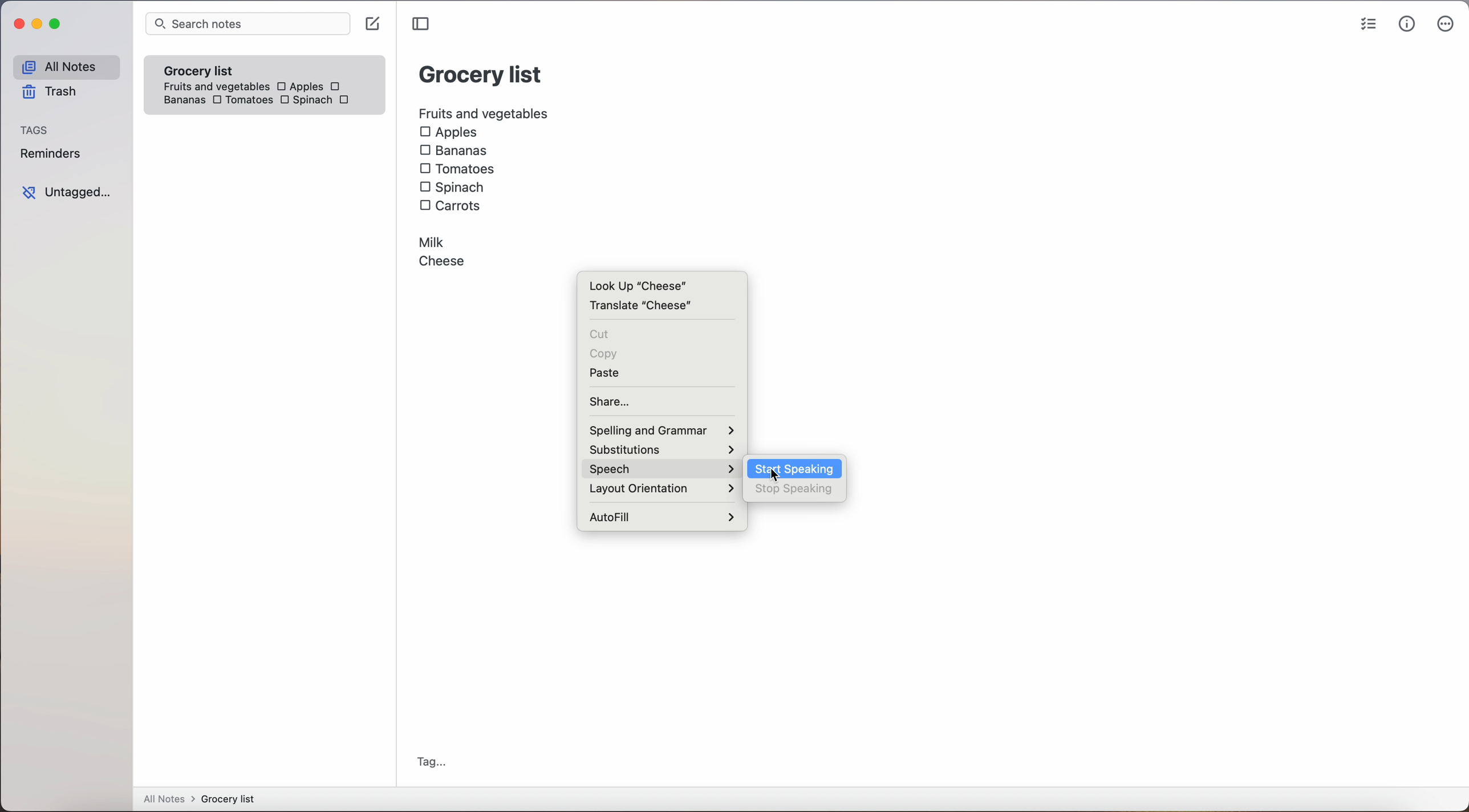  What do you see at coordinates (795, 493) in the screenshot?
I see `click on stop speaking` at bounding box center [795, 493].